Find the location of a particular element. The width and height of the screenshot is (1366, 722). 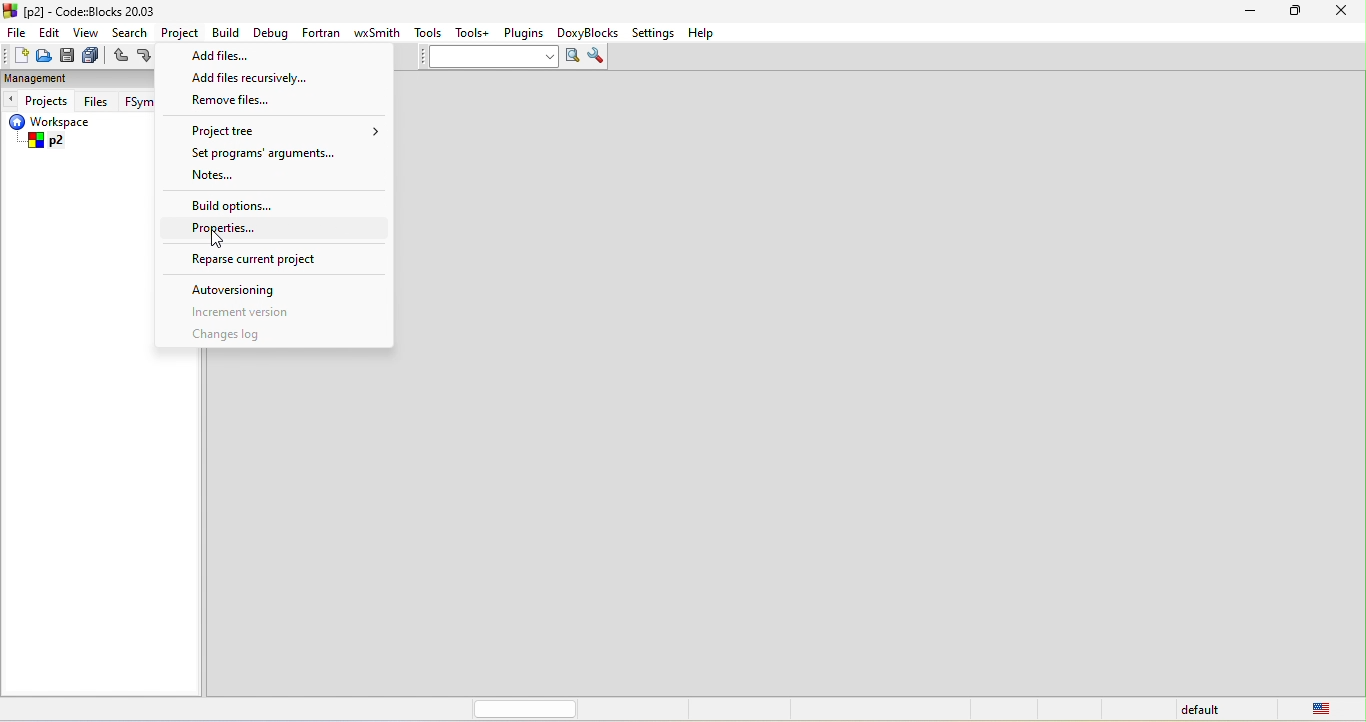

projects is located at coordinates (39, 101).